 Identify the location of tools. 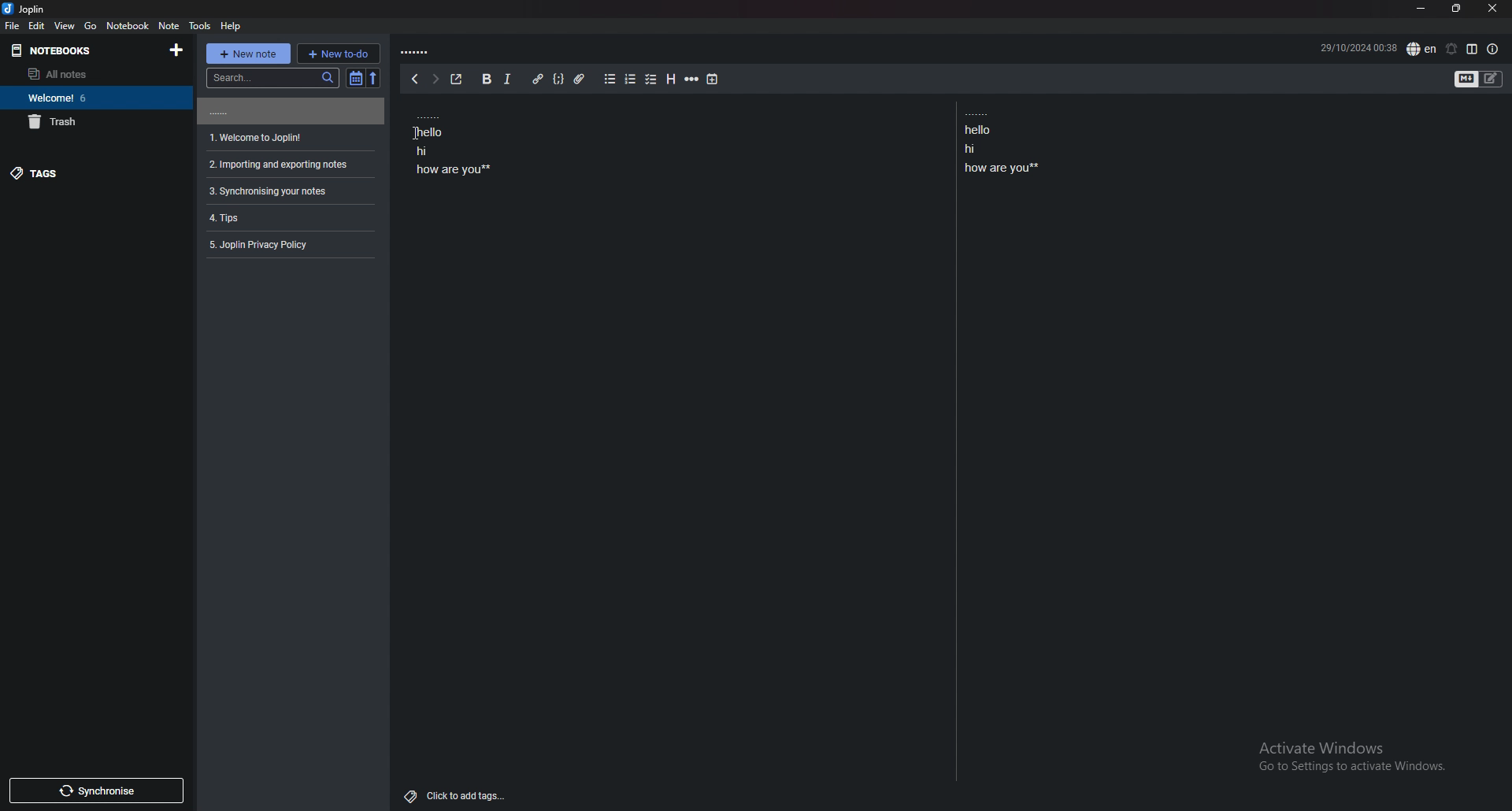
(201, 26).